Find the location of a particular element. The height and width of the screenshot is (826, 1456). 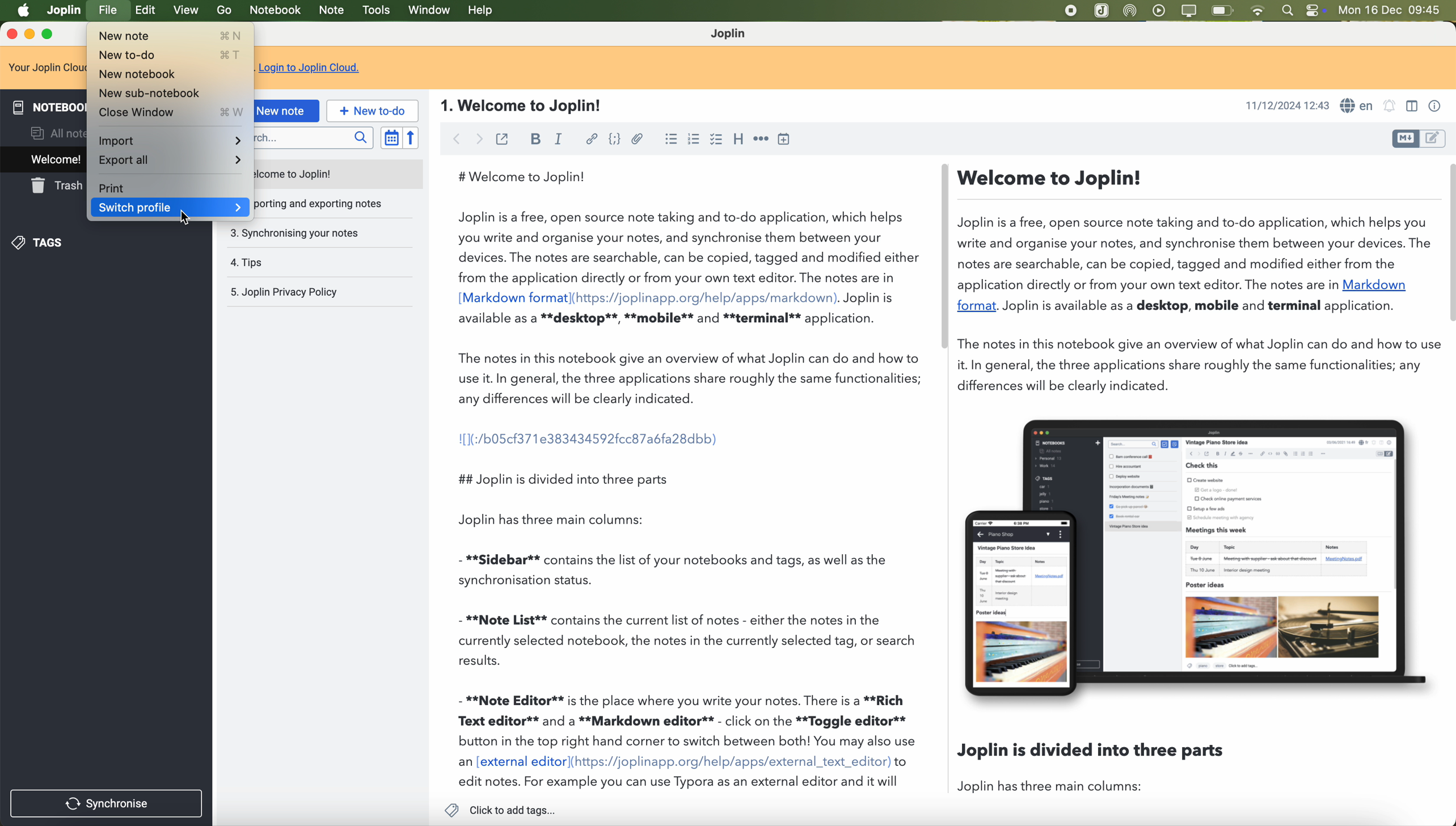

Joplin is located at coordinates (731, 34).